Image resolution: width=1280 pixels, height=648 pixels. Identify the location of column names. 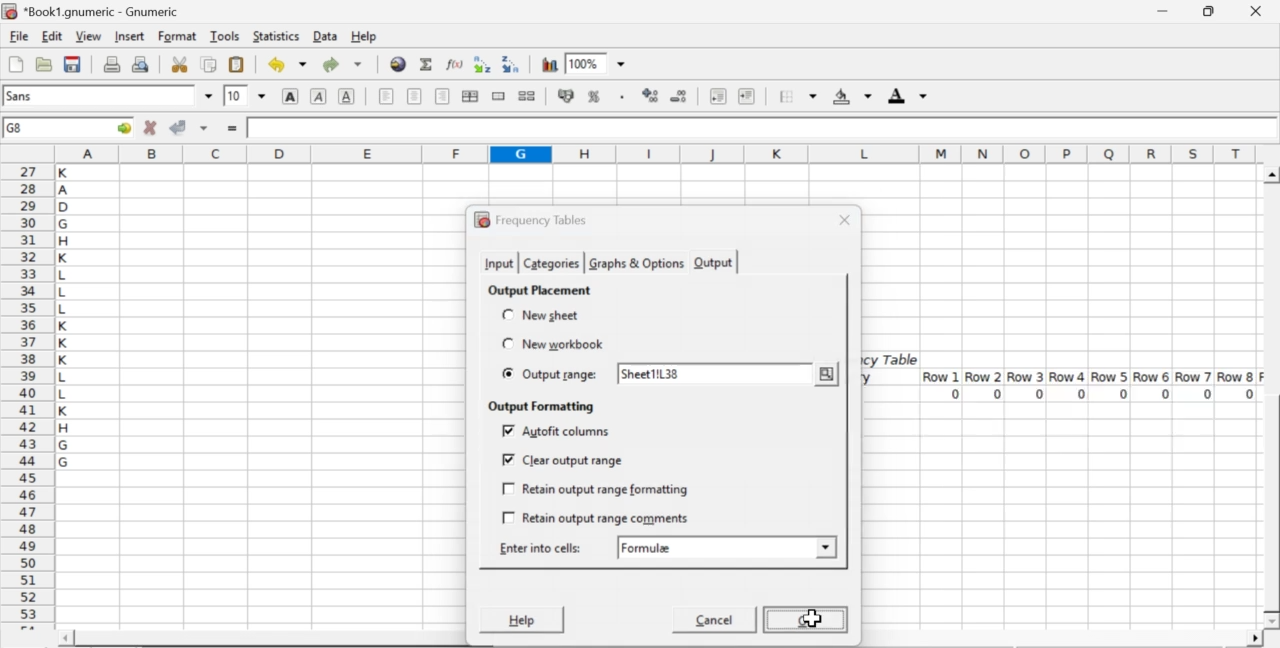
(653, 153).